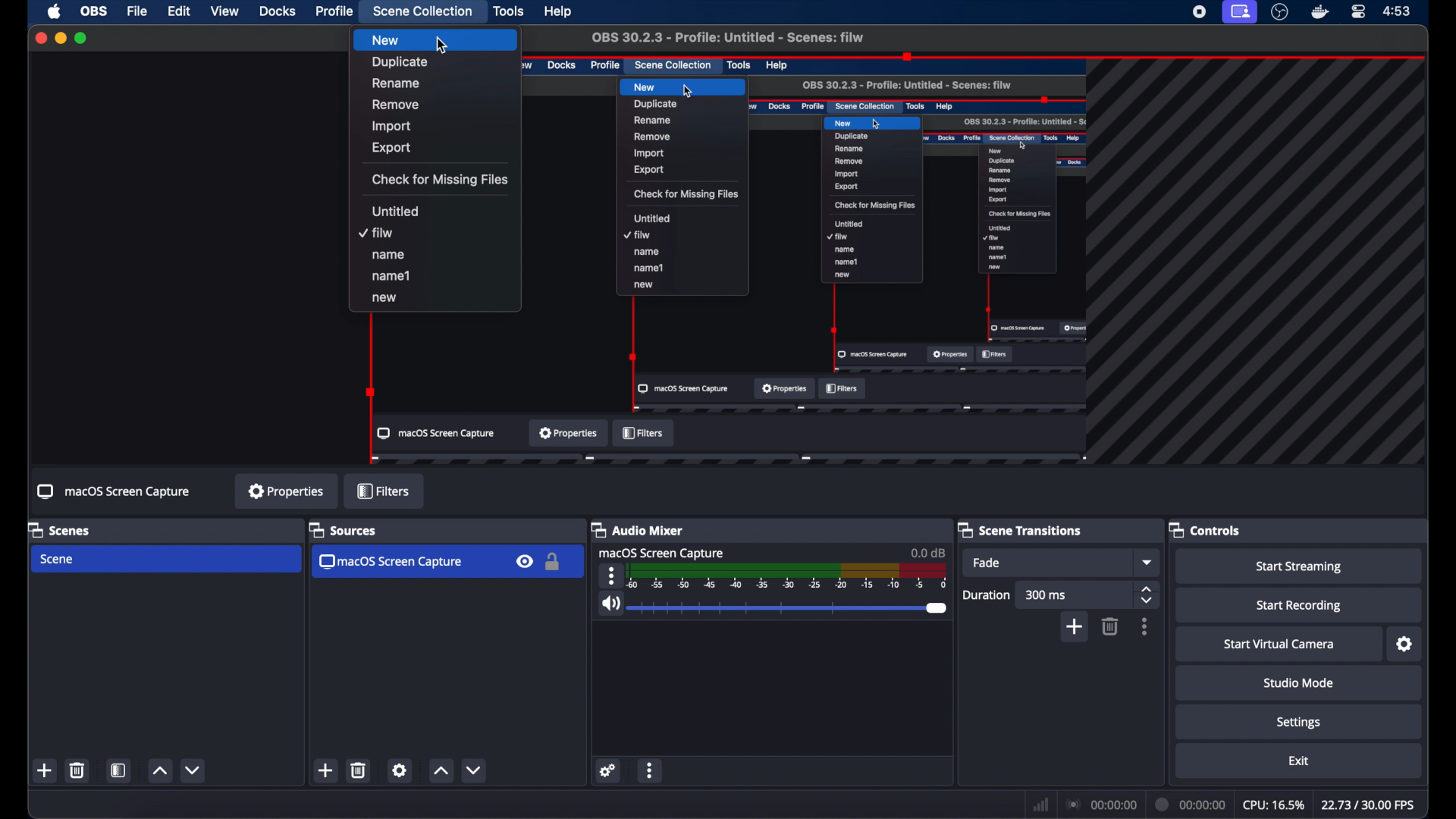 The width and height of the screenshot is (1456, 819). Describe the element at coordinates (36, 36) in the screenshot. I see `close` at that location.